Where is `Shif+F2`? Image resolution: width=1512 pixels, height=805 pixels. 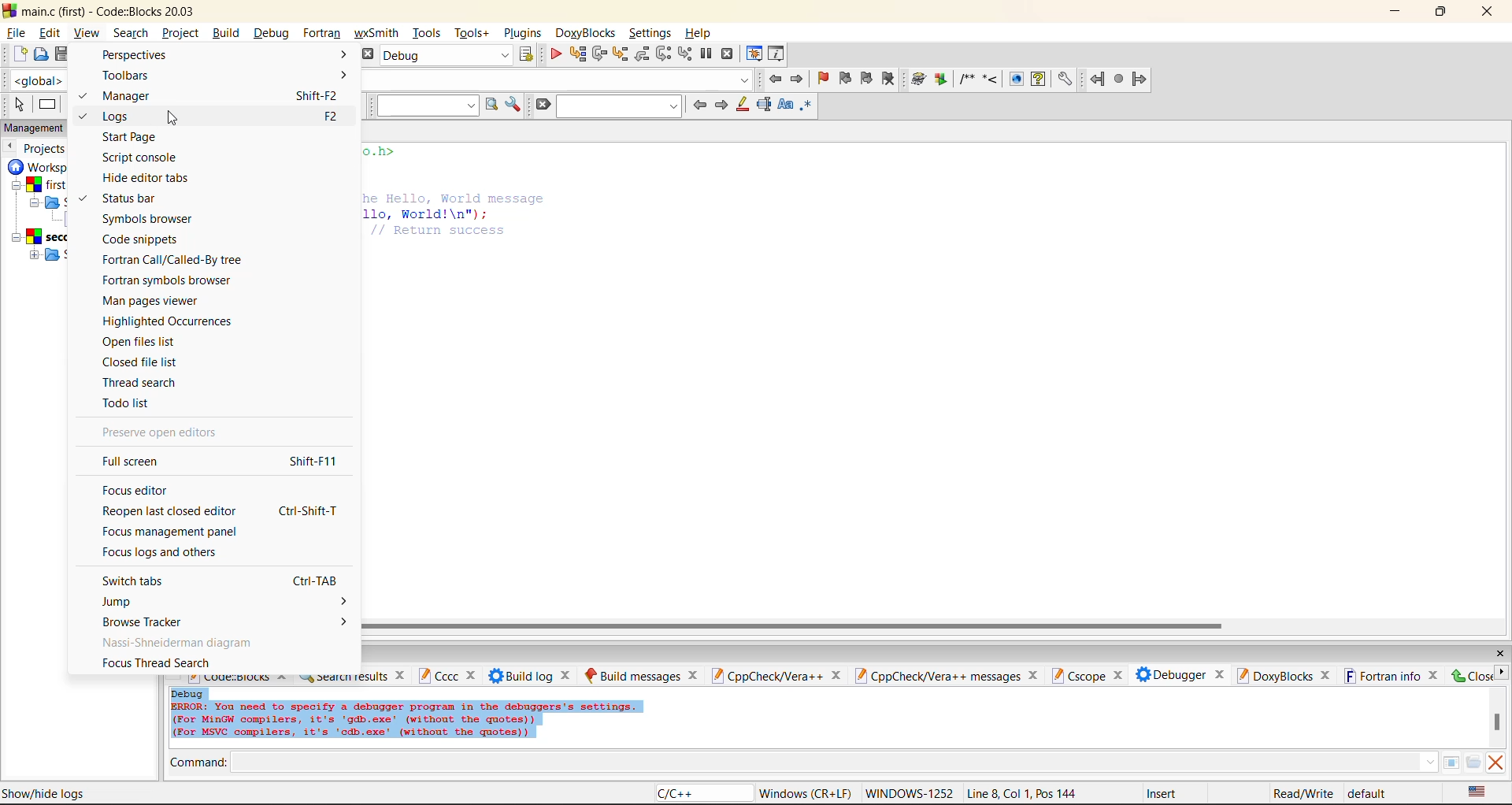 Shif+F2 is located at coordinates (317, 97).